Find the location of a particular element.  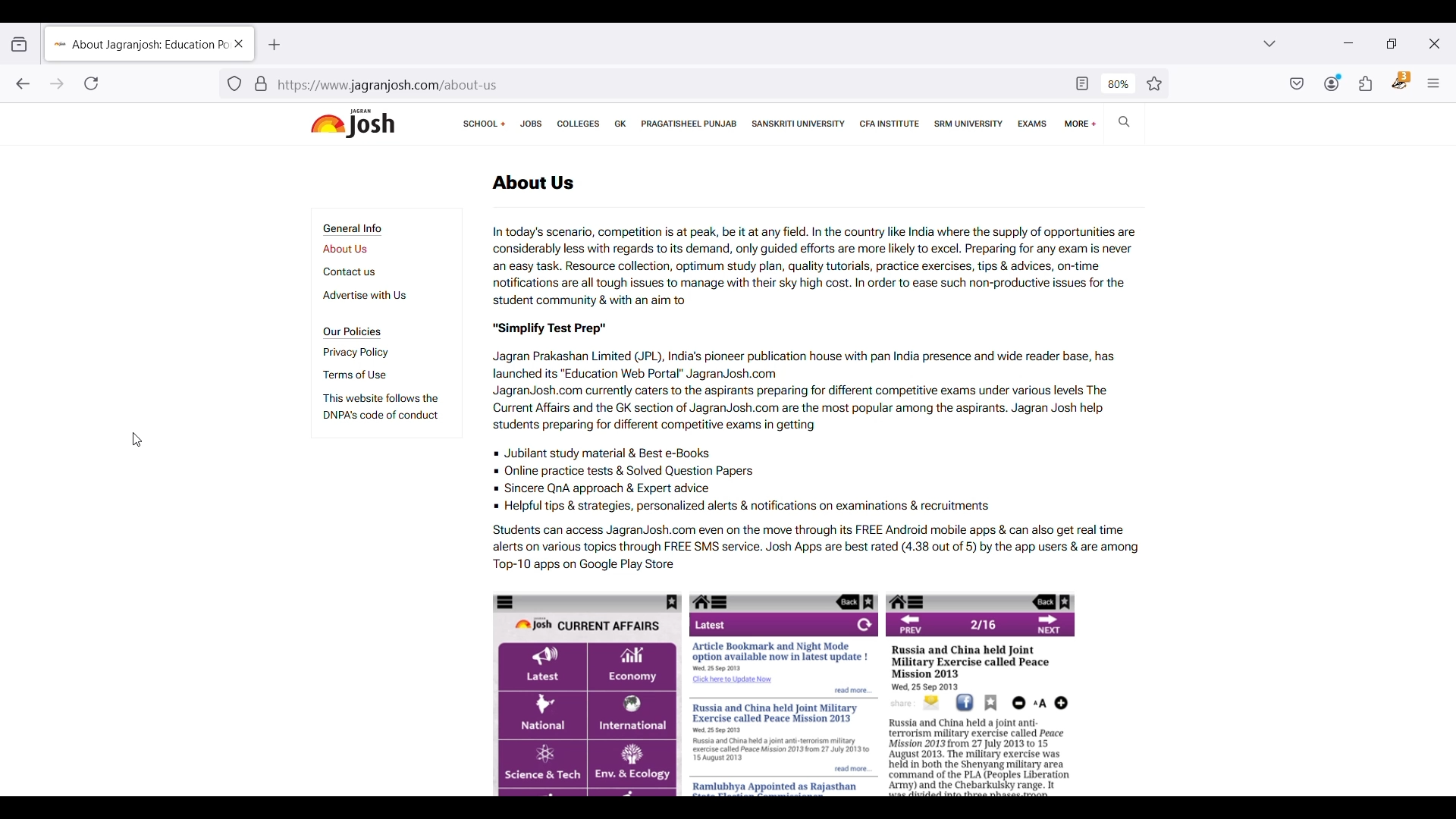

In today's scenario, competition is at peak, be it at any field. In the country like India where the supply of opportunities are
considerably less with regards to its demand, only guided efforts are more likely to excel. Preparing for any exam is never
an easy task. Resource collection, optimum study plan, quality tutorials, practice exercises, tips & advices, on-time
notifications are all tough issues to manage with their sky high cost. In order to ease such non-productive issues for the
student community & with an aim to is located at coordinates (818, 265).